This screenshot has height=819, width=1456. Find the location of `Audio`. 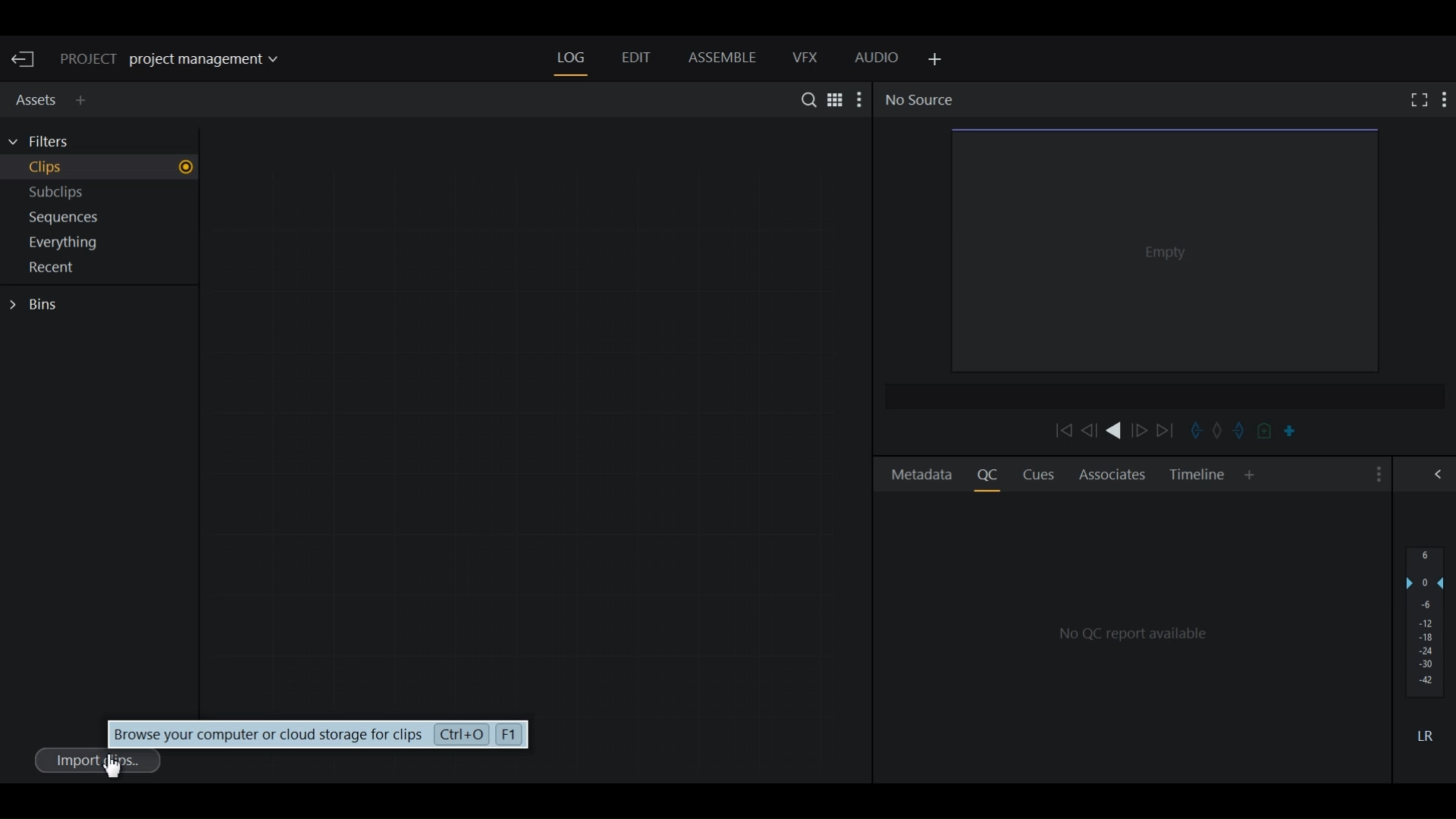

Audio is located at coordinates (877, 60).